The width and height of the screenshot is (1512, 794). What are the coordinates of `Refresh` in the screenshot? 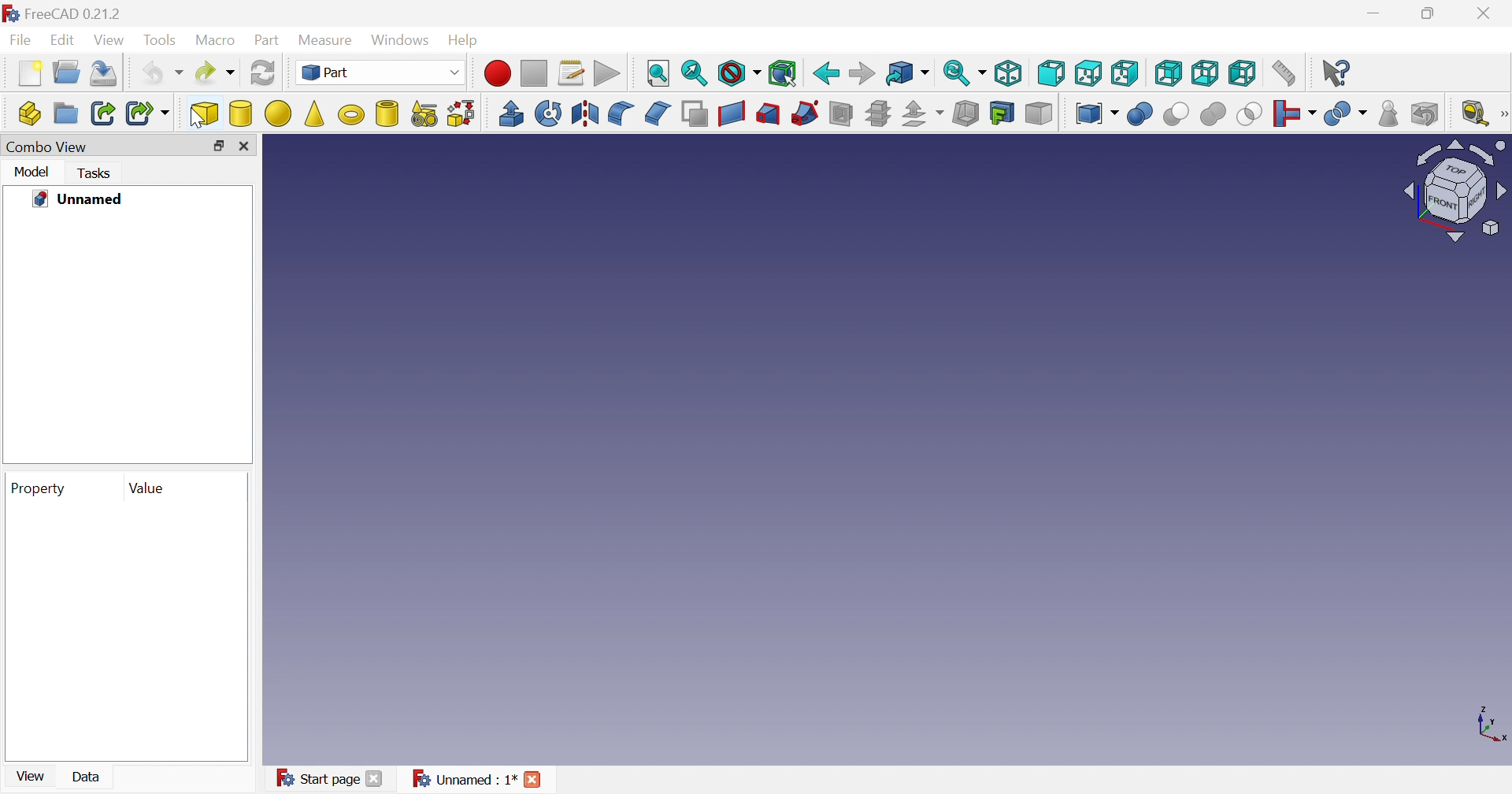 It's located at (263, 74).